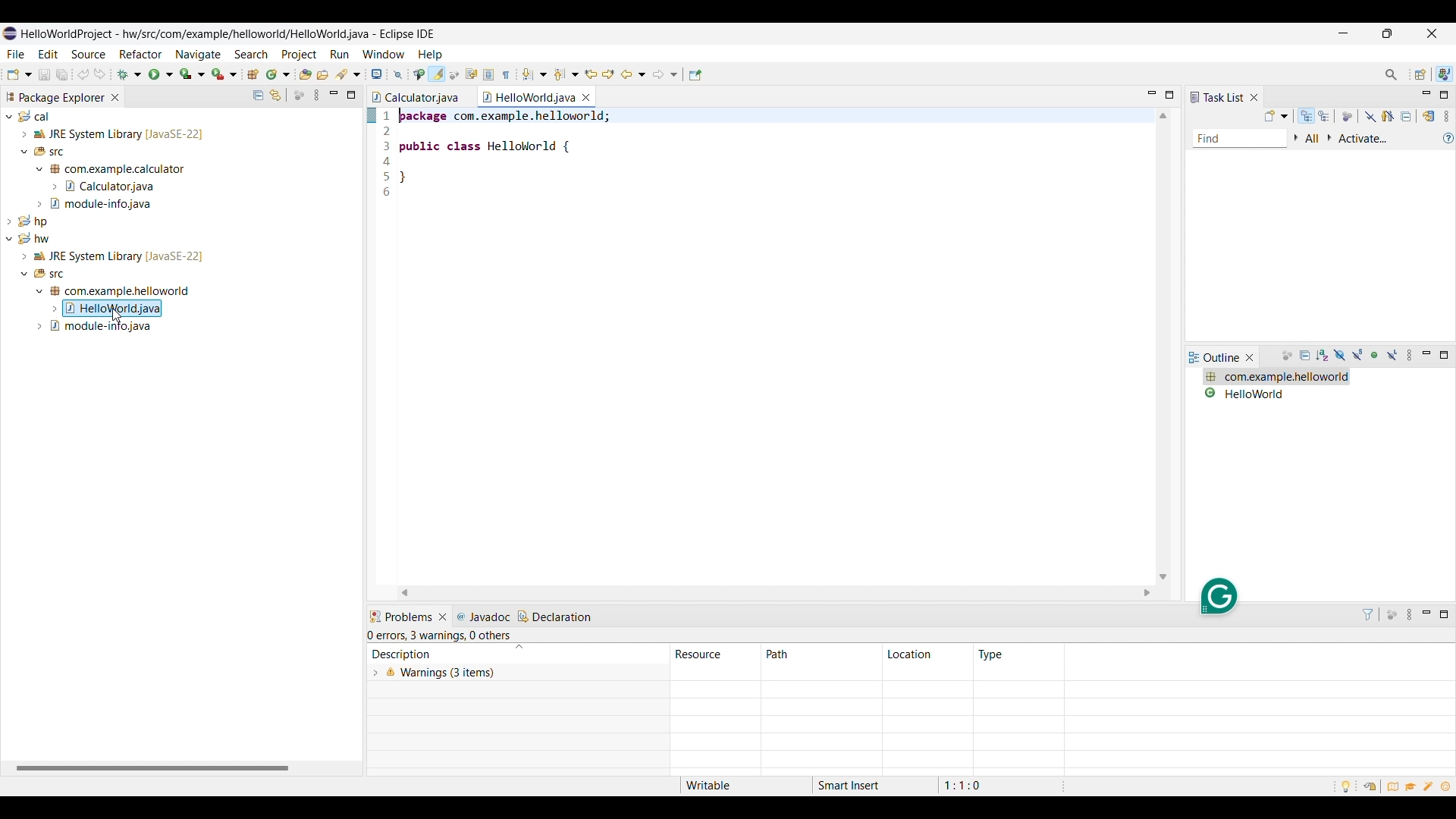  I want to click on Current workspace details, so click(872, 786).